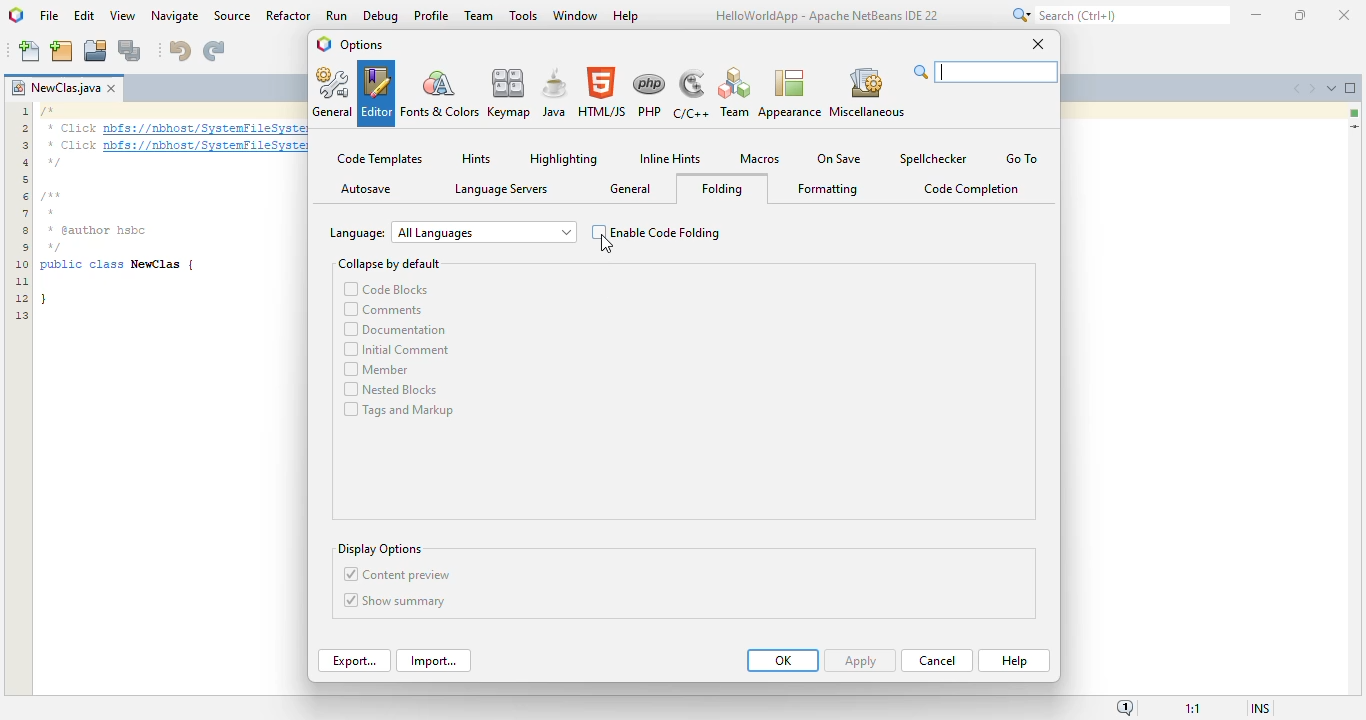  What do you see at coordinates (627, 15) in the screenshot?
I see `help` at bounding box center [627, 15].